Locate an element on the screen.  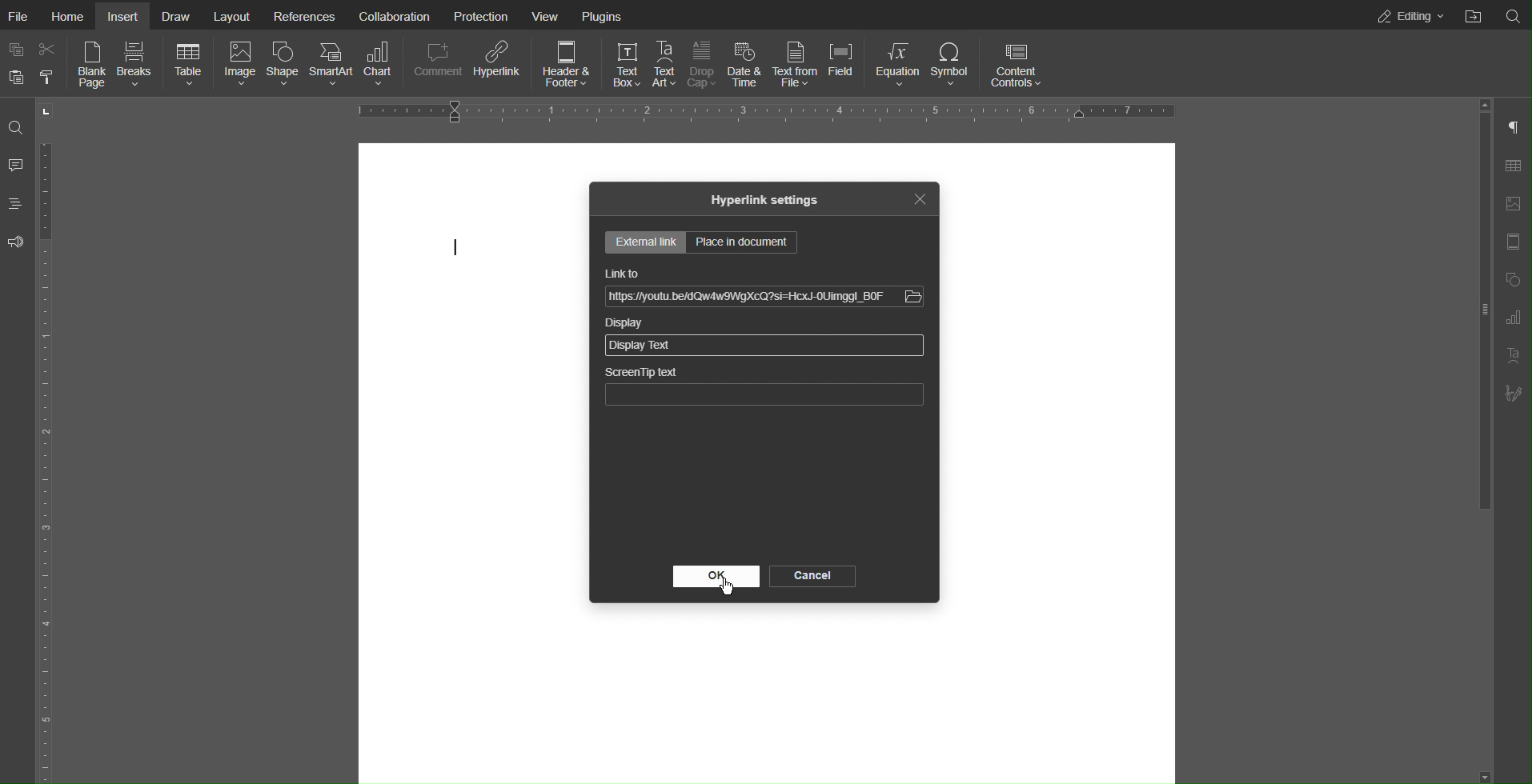
Text Box is located at coordinates (628, 65).